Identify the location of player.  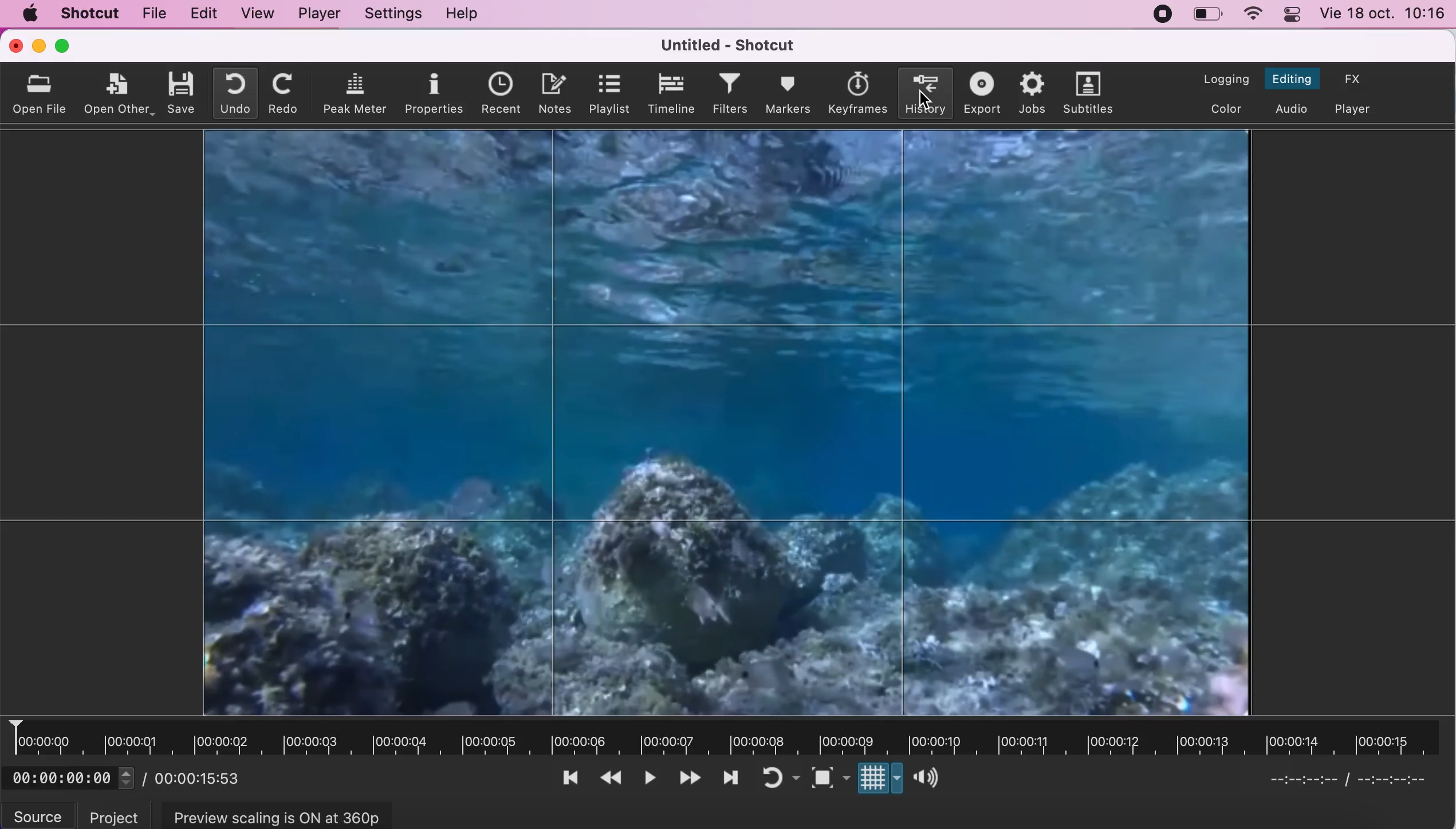
(323, 15).